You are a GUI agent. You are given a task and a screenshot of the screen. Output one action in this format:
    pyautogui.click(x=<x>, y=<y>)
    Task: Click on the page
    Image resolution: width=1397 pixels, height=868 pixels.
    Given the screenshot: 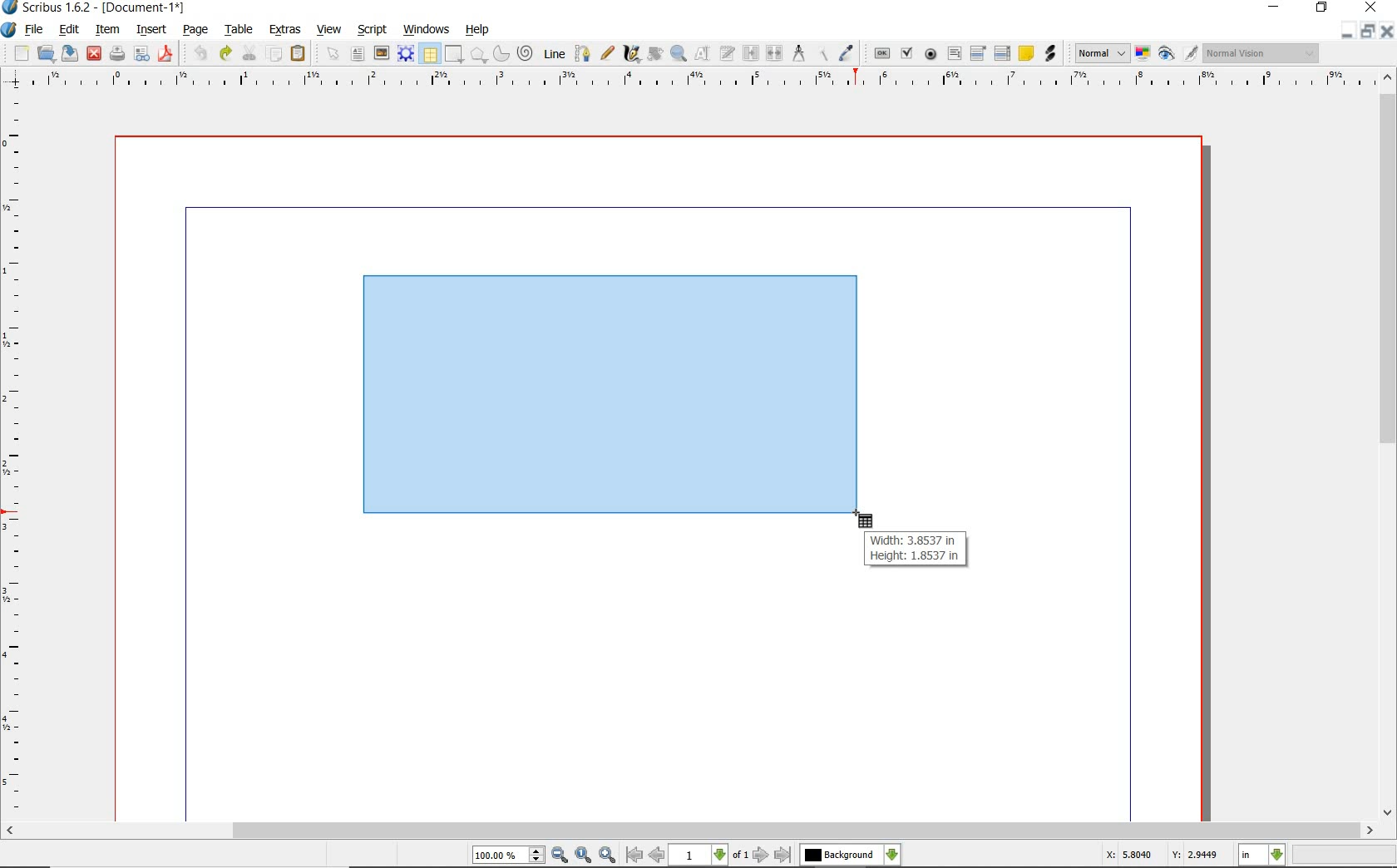 What is the action you would take?
    pyautogui.click(x=195, y=31)
    